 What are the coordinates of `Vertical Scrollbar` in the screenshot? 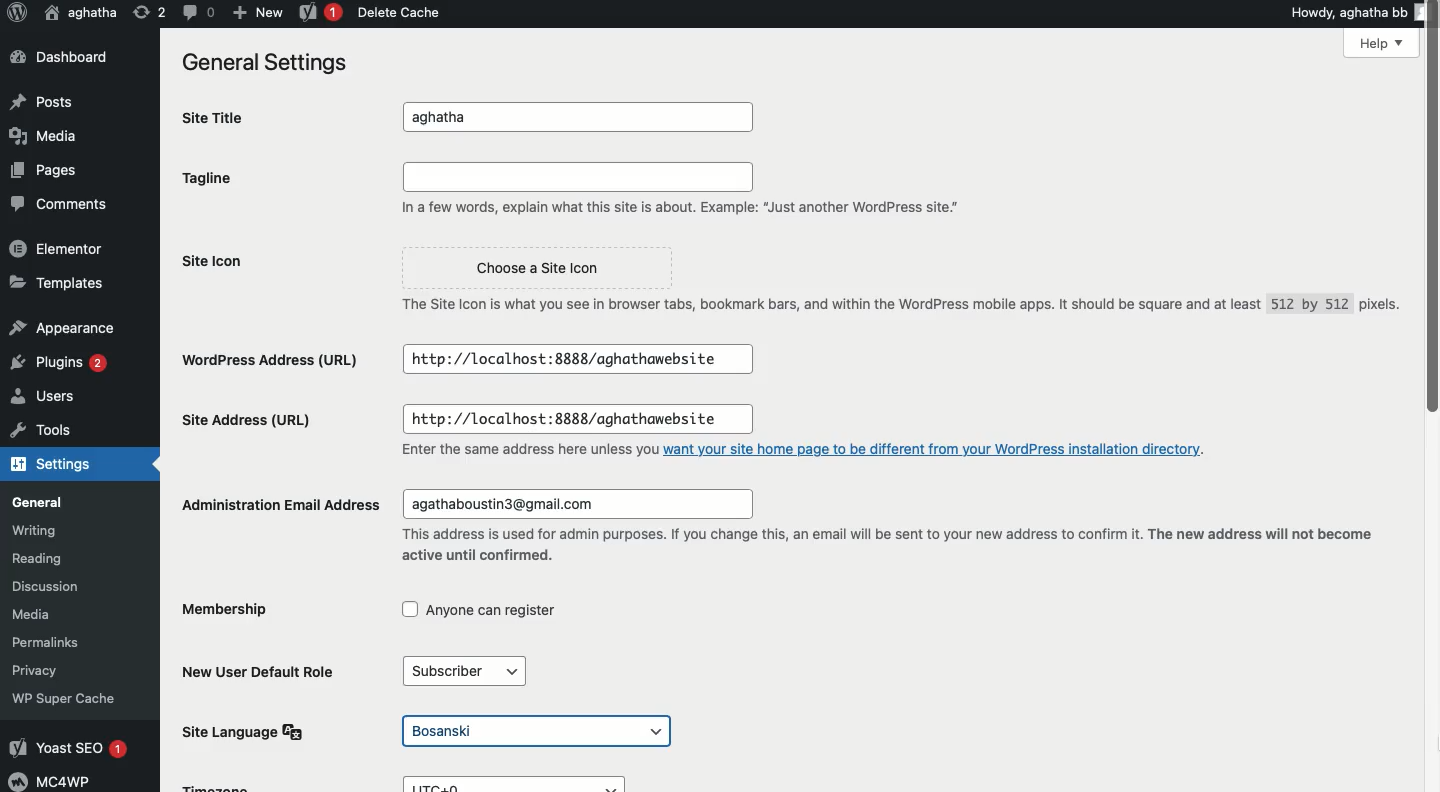 It's located at (1431, 396).